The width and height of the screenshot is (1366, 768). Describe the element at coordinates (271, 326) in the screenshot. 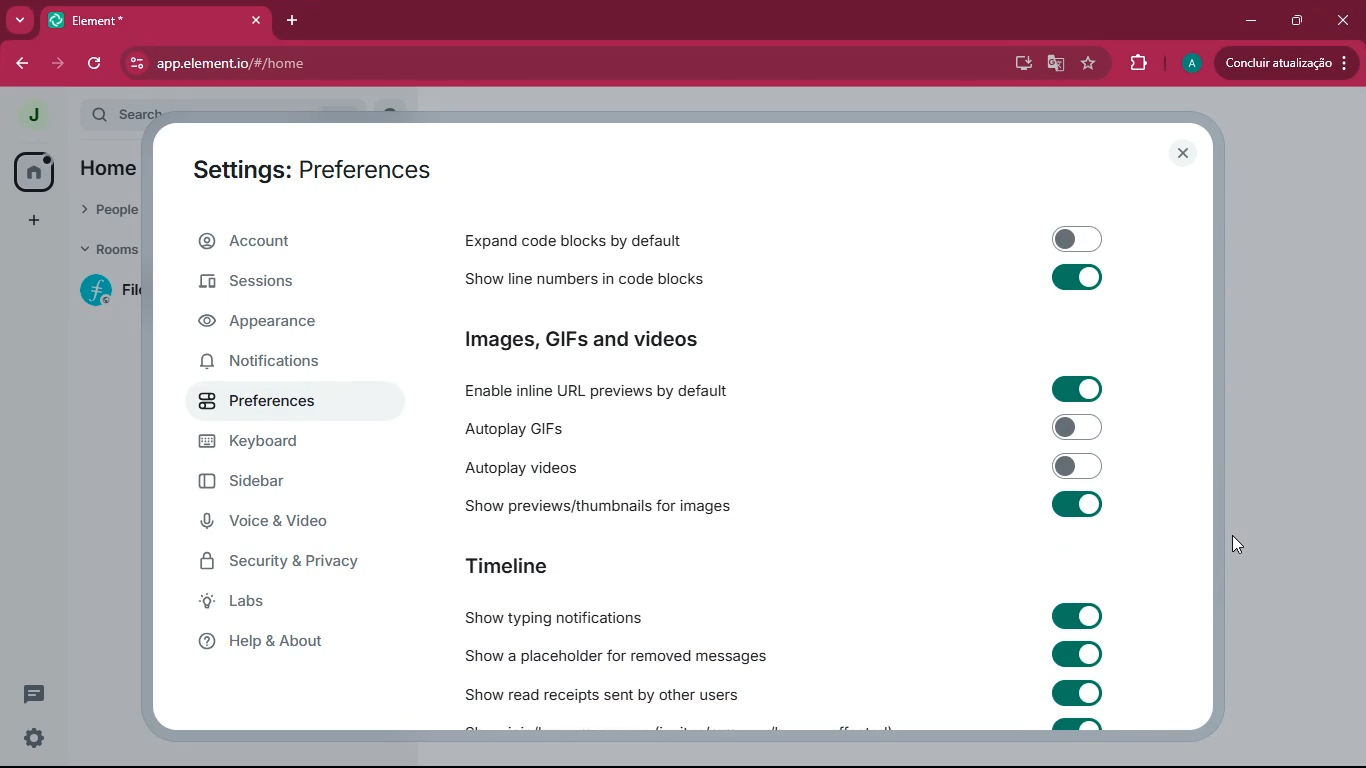

I see `appearance` at that location.